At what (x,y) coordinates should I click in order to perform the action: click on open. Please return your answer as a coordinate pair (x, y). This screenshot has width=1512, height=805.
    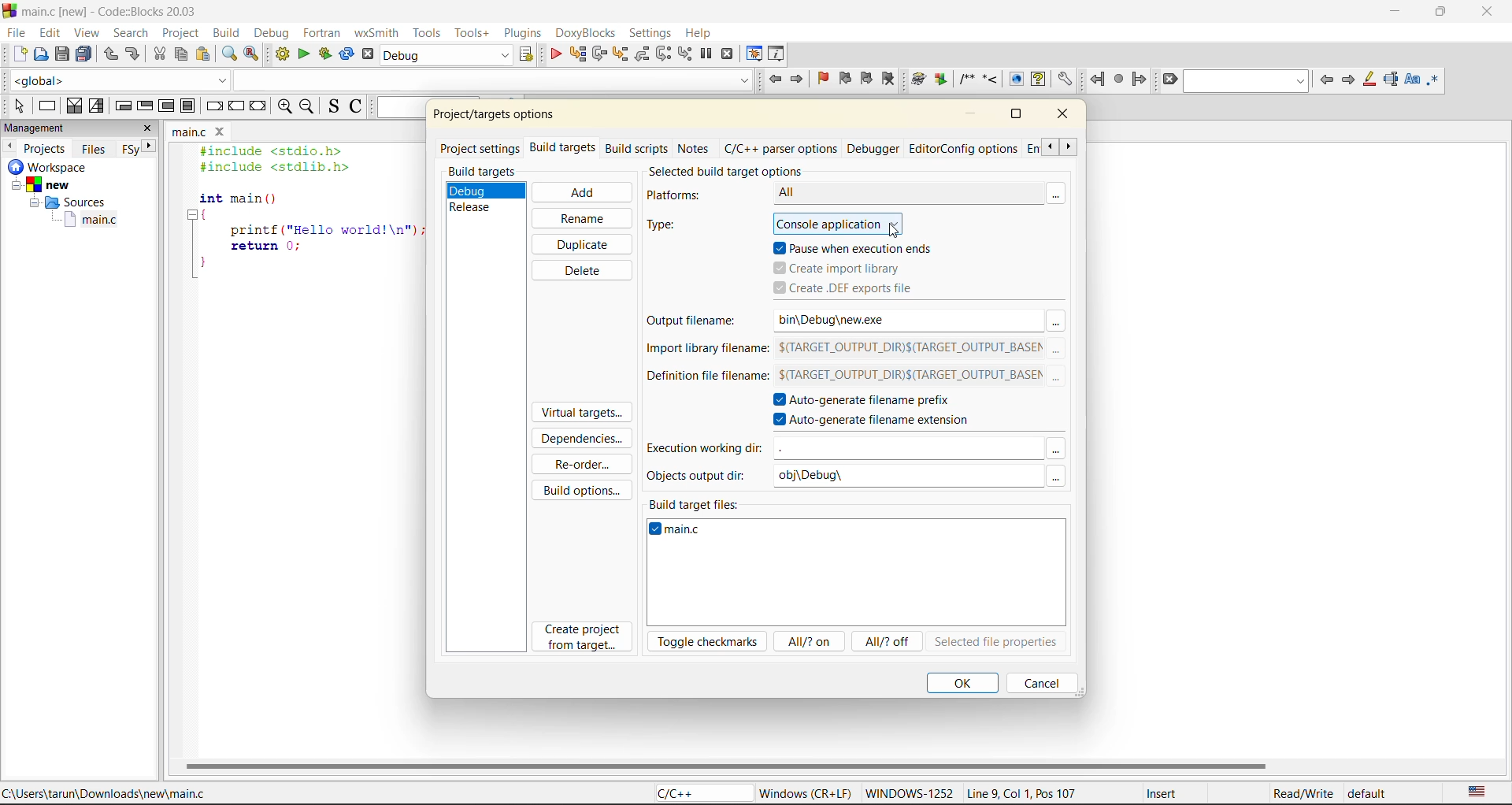
    Looking at the image, I should click on (42, 54).